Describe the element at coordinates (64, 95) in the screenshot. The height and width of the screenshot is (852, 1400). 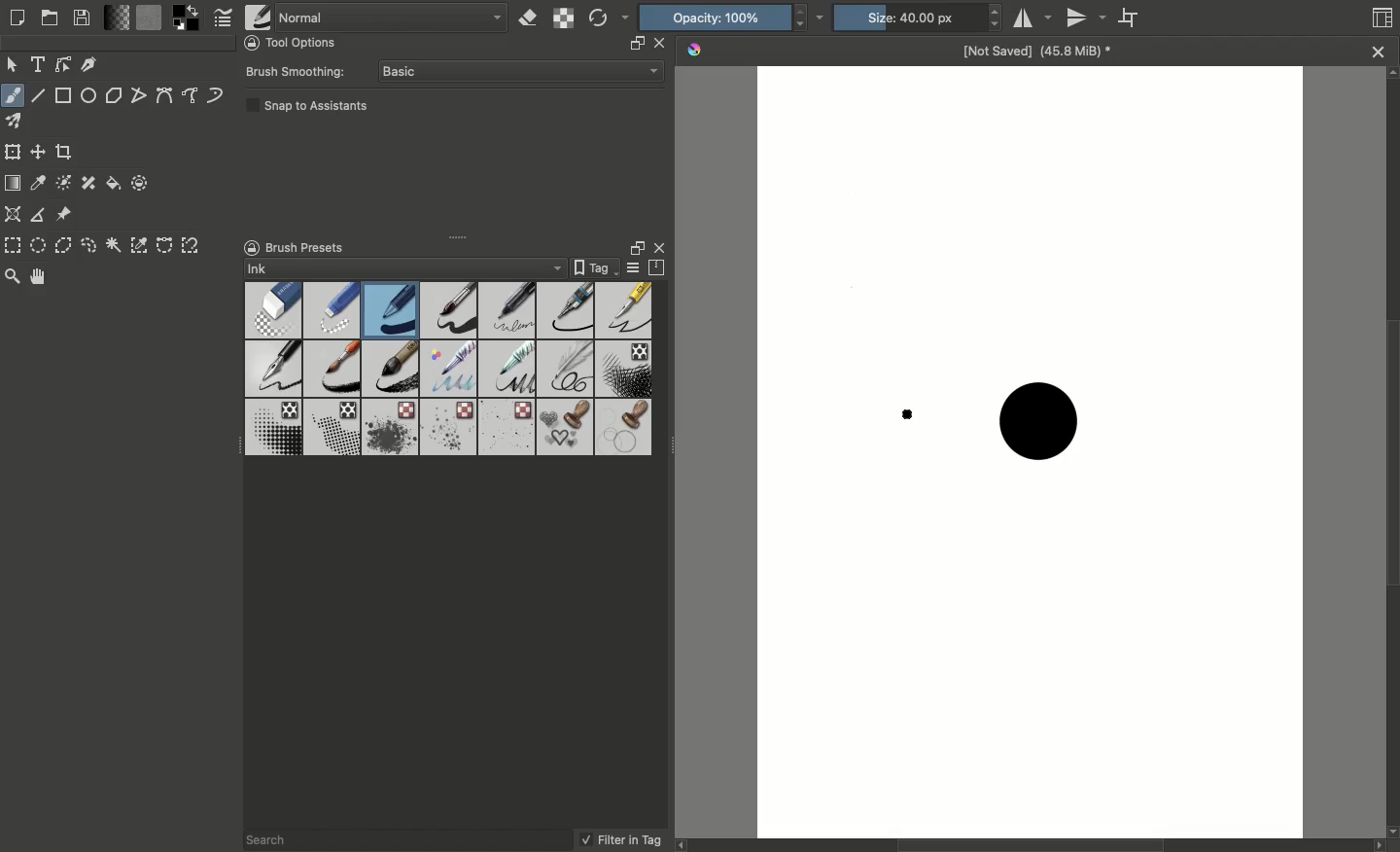
I see `Rectangular` at that location.